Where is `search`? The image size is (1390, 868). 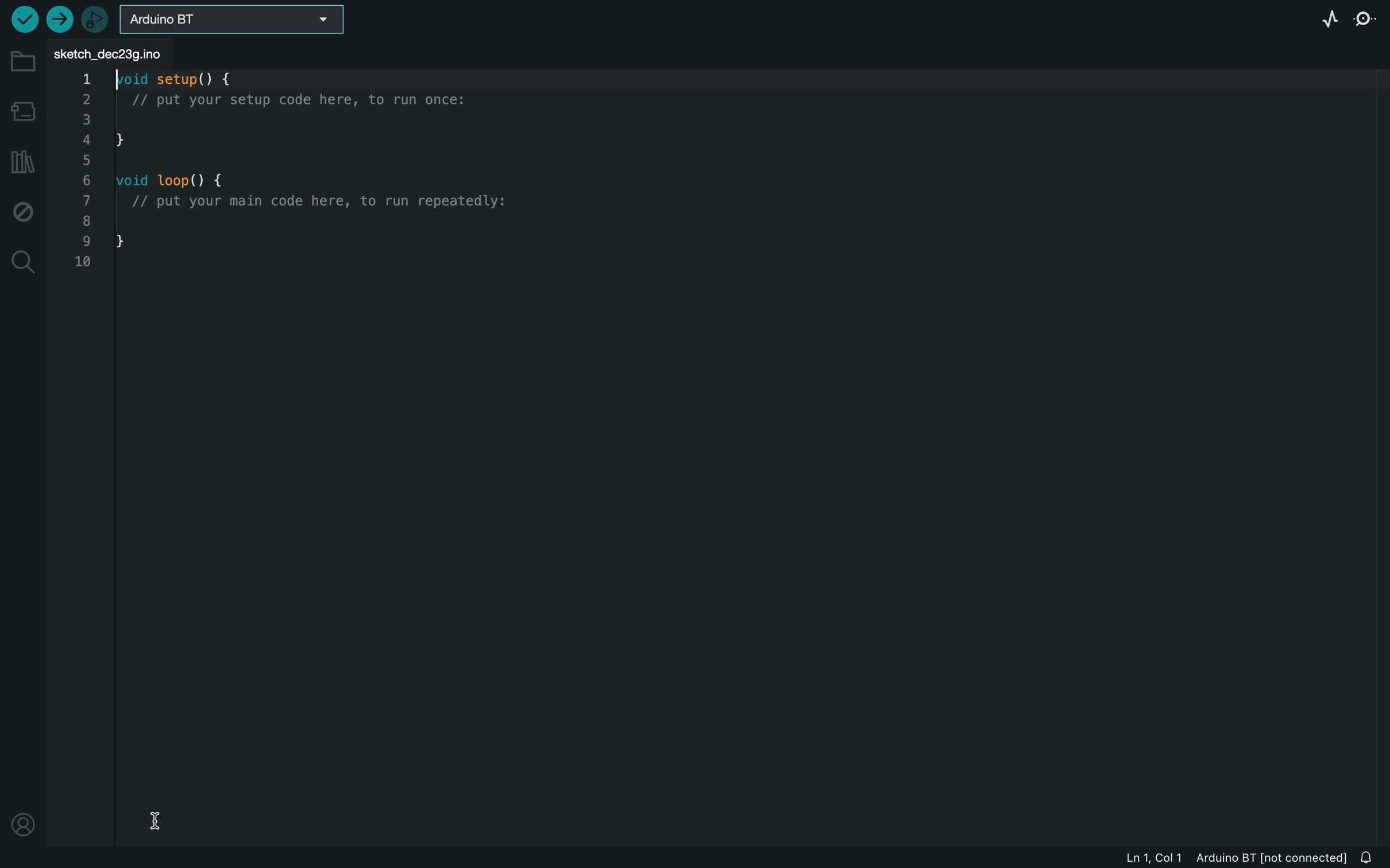
search is located at coordinates (22, 261).